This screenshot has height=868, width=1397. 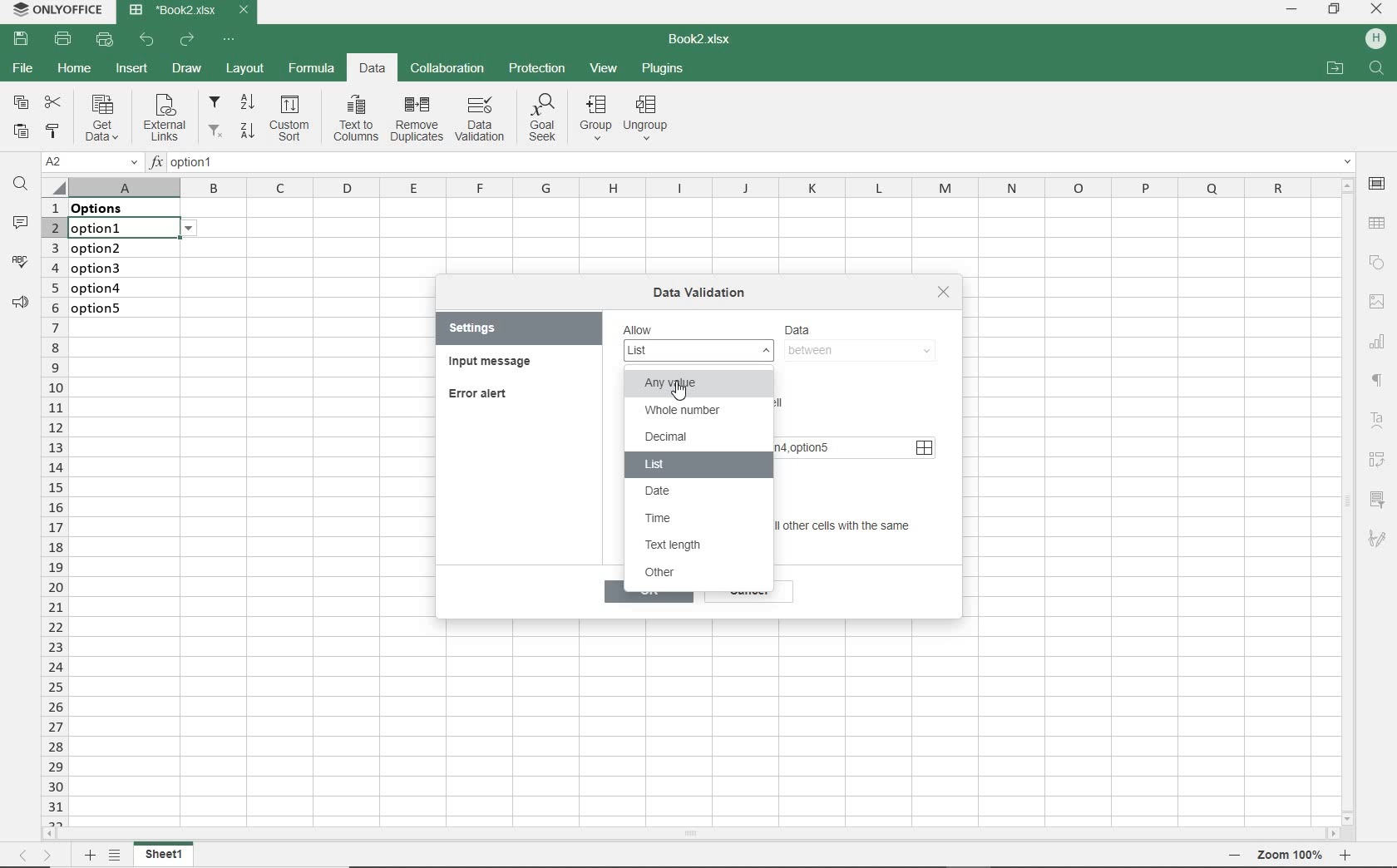 I want to click on Cursor, so click(x=681, y=392).